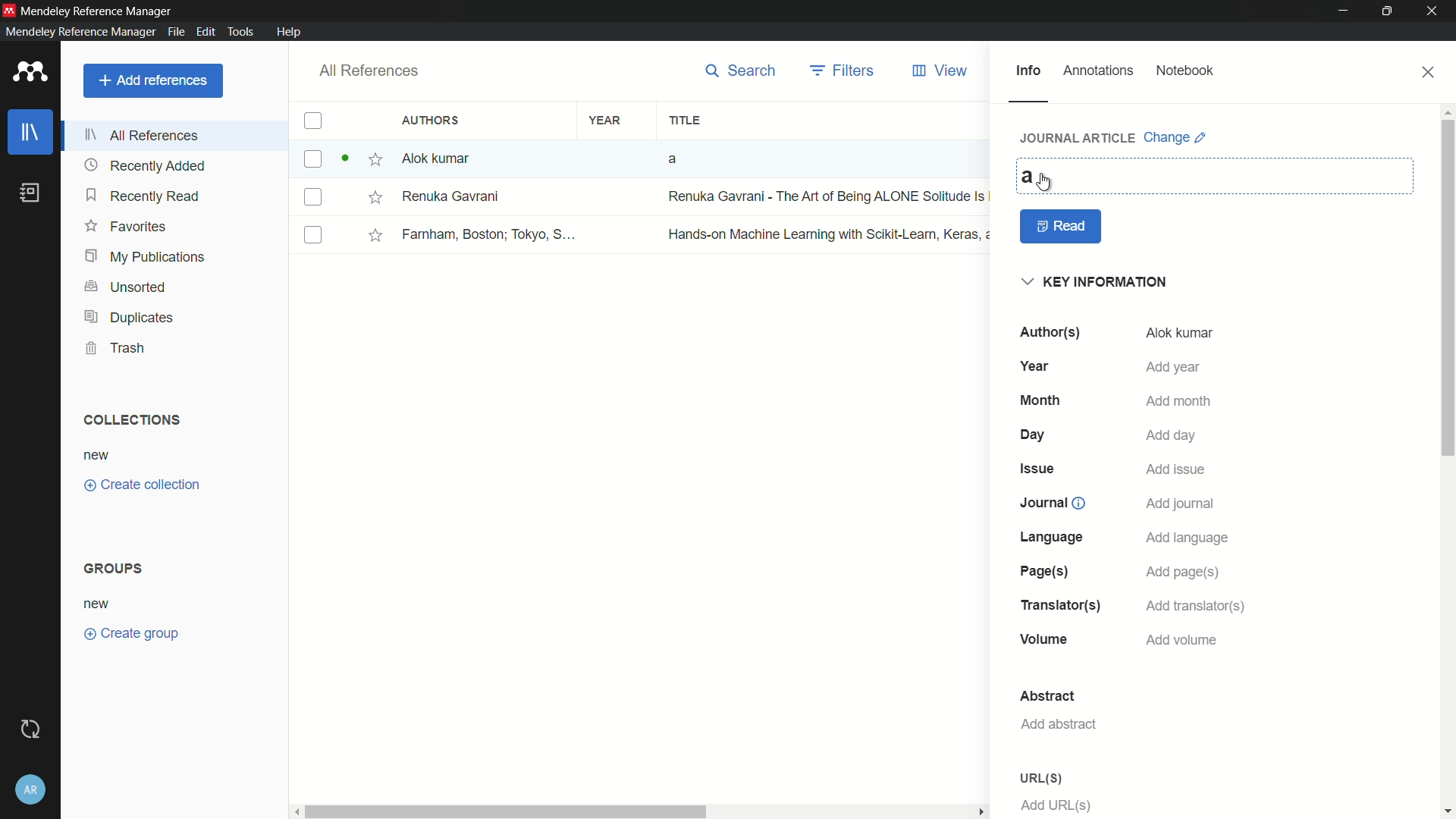  What do you see at coordinates (1172, 367) in the screenshot?
I see `add year` at bounding box center [1172, 367].